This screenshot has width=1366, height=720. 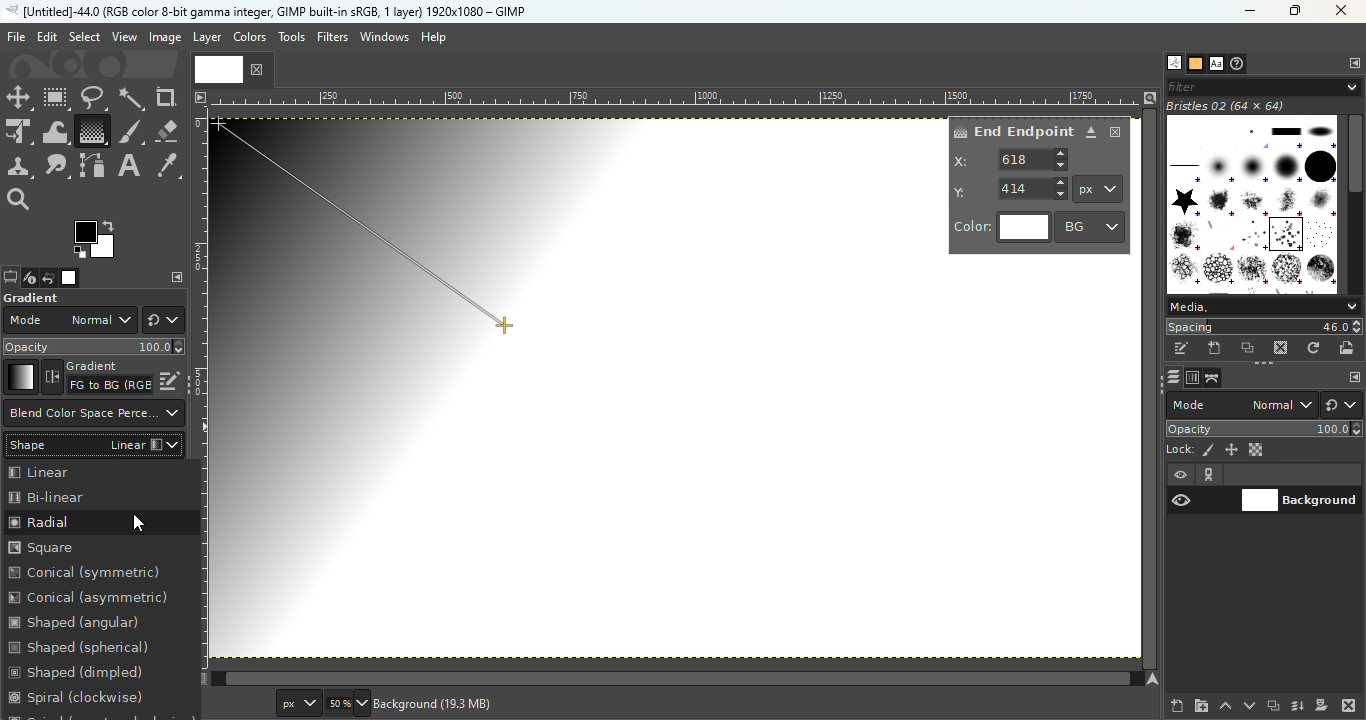 What do you see at coordinates (18, 133) in the screenshot?
I see `Unified transform tool` at bounding box center [18, 133].